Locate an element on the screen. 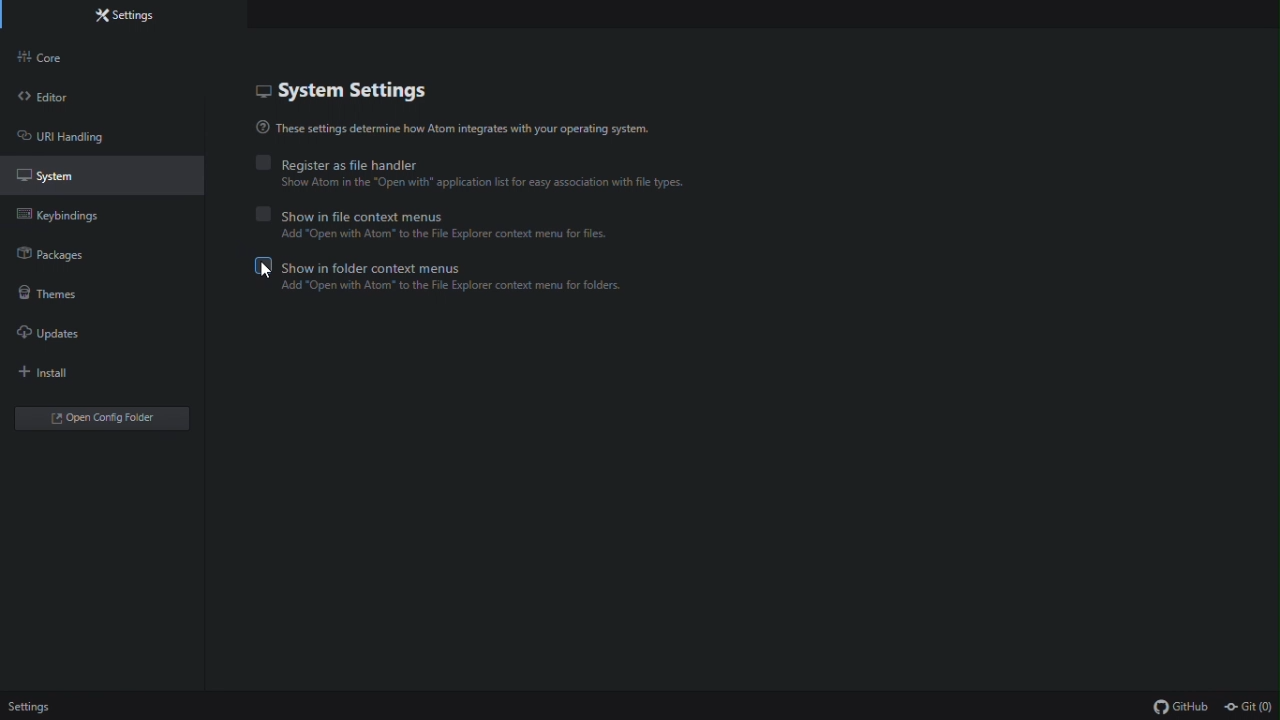 The image size is (1280, 720). ‘Add "Open with Atom” to the File Explorer context menu for folders. is located at coordinates (455, 288).